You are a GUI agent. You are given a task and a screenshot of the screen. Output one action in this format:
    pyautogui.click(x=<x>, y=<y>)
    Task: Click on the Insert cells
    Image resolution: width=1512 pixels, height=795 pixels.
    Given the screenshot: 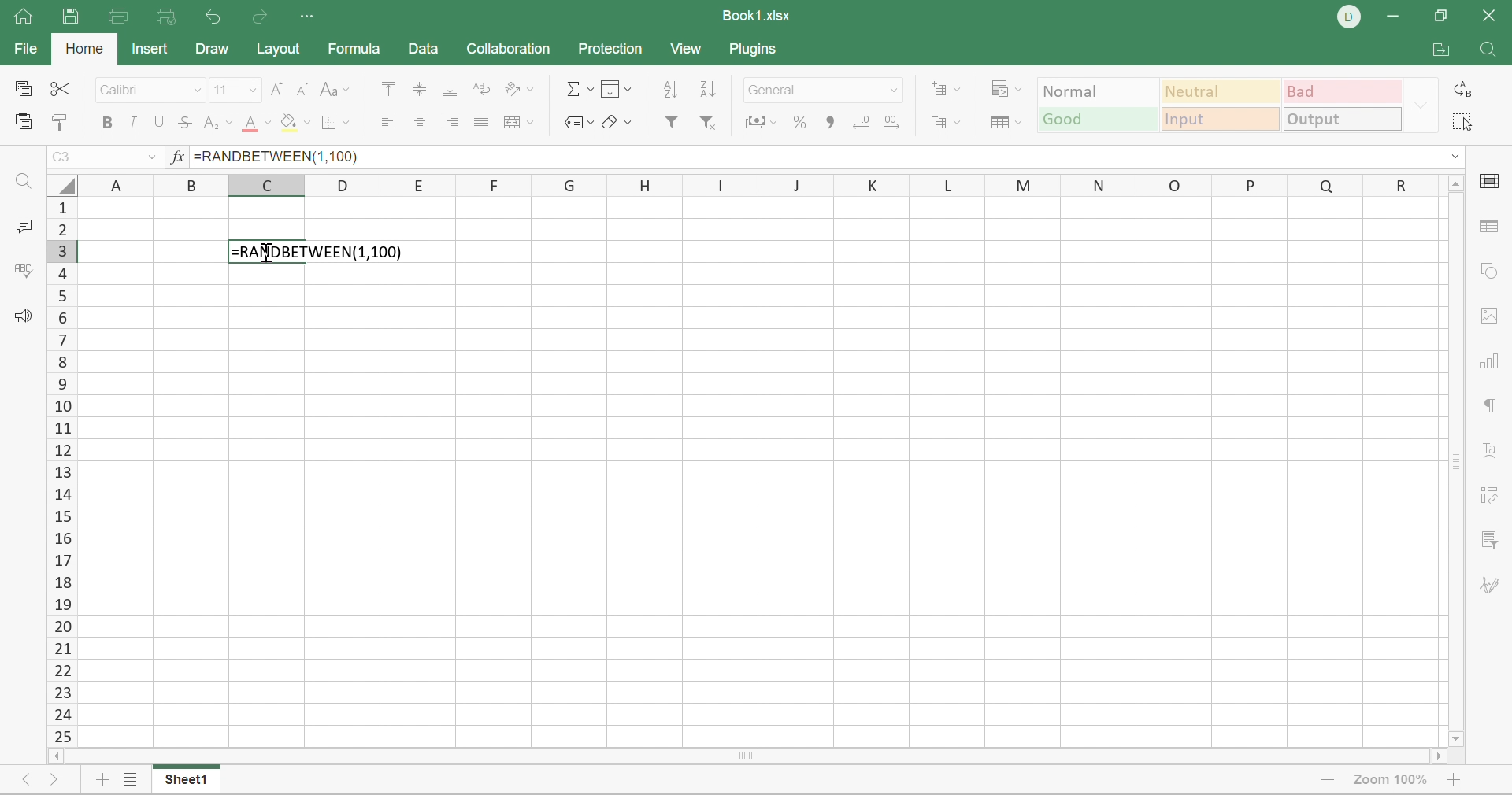 What is the action you would take?
    pyautogui.click(x=947, y=89)
    